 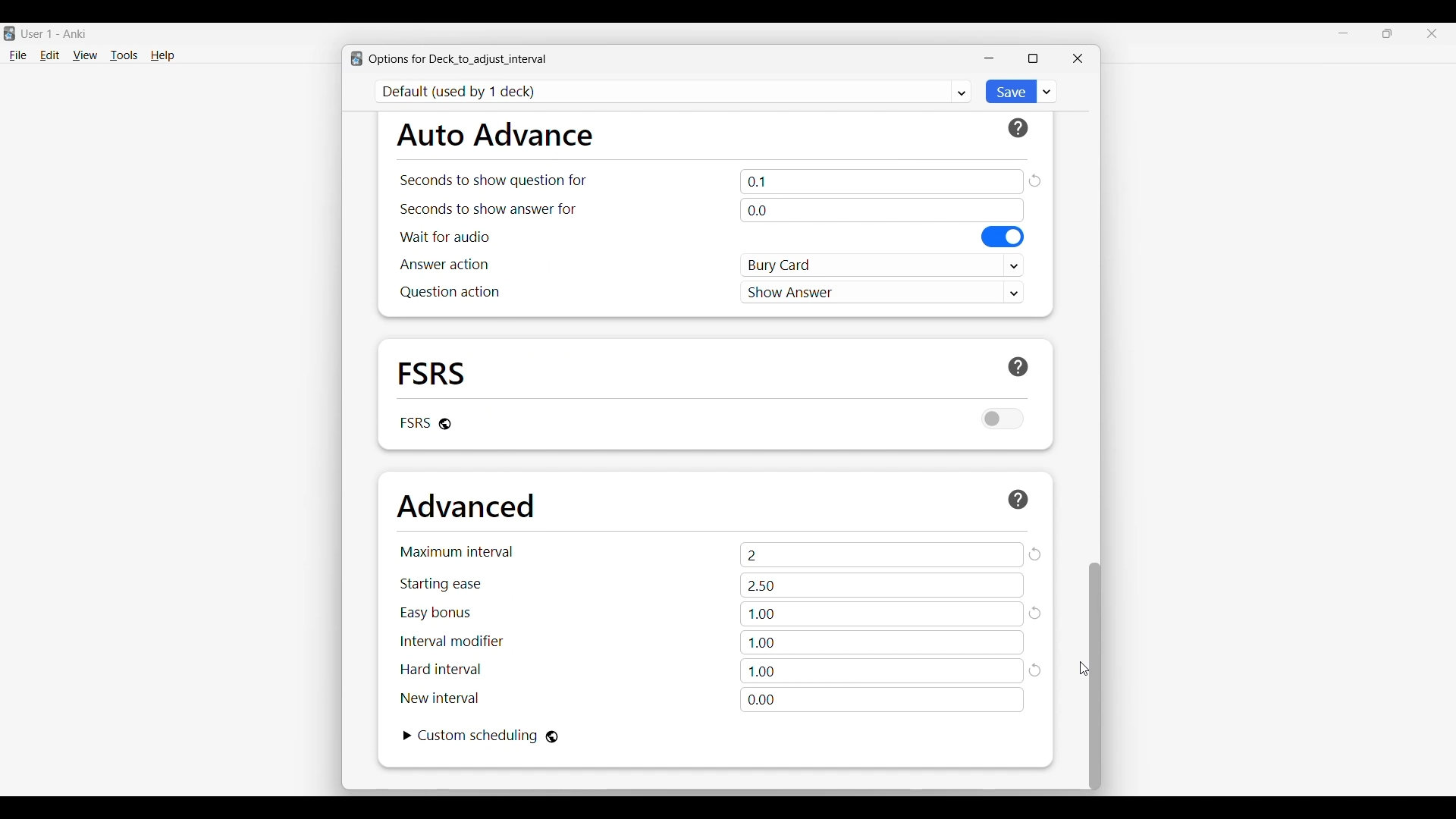 What do you see at coordinates (1078, 58) in the screenshot?
I see `Click to close window` at bounding box center [1078, 58].